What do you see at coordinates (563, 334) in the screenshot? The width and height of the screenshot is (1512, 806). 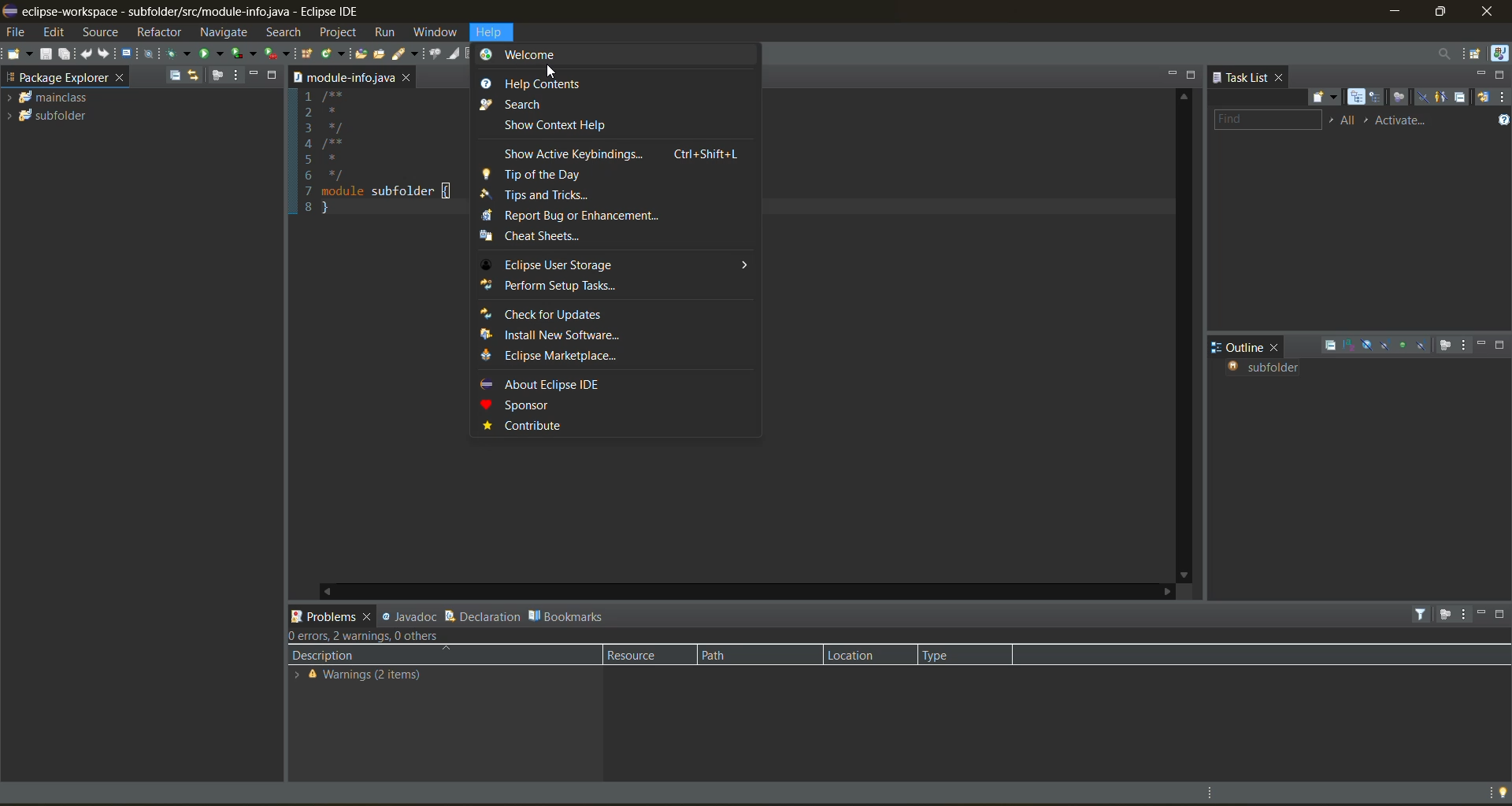 I see `install new software` at bounding box center [563, 334].